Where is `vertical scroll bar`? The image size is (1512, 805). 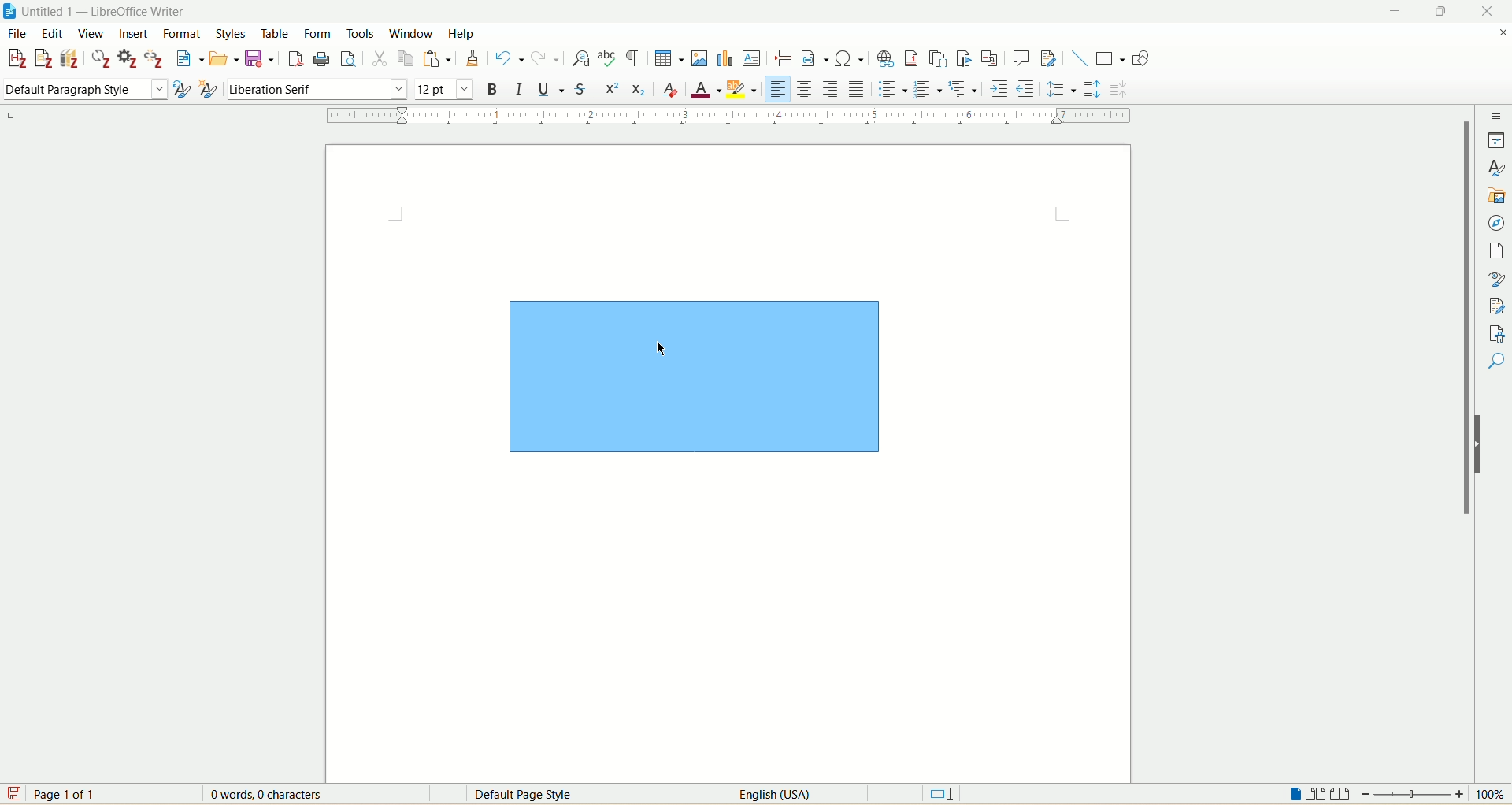 vertical scroll bar is located at coordinates (1466, 444).